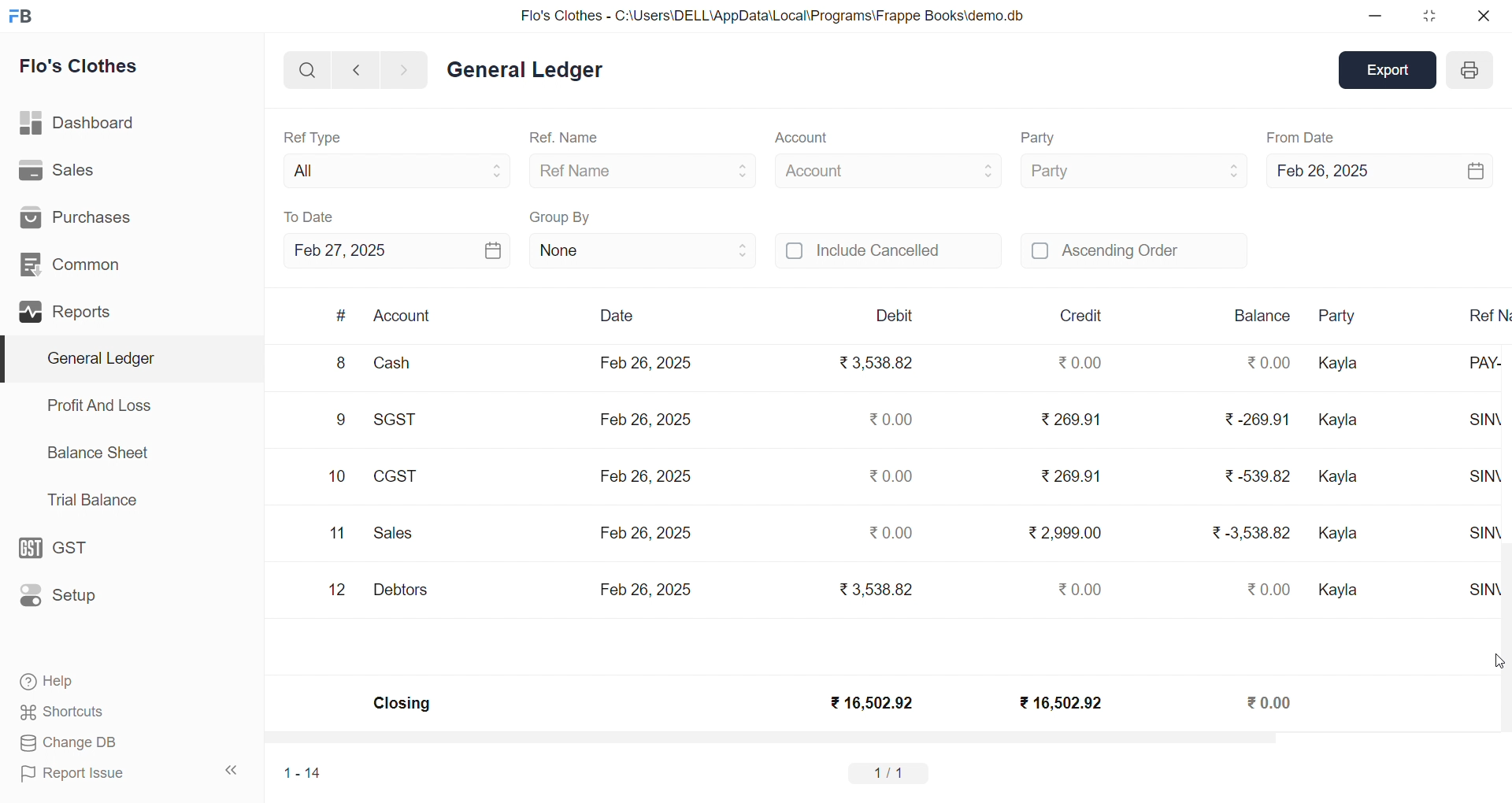 The height and width of the screenshot is (803, 1512). I want to click on Report Issue, so click(74, 774).